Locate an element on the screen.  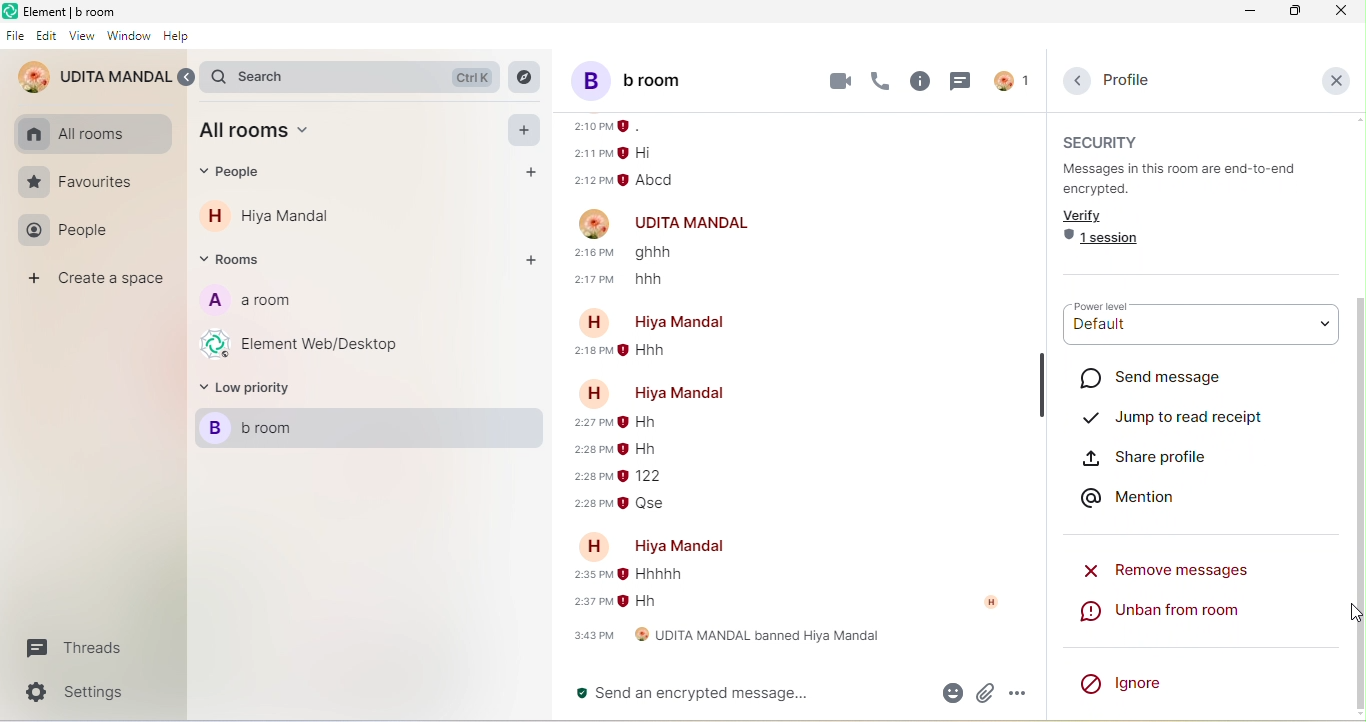
share profile is located at coordinates (1169, 456).